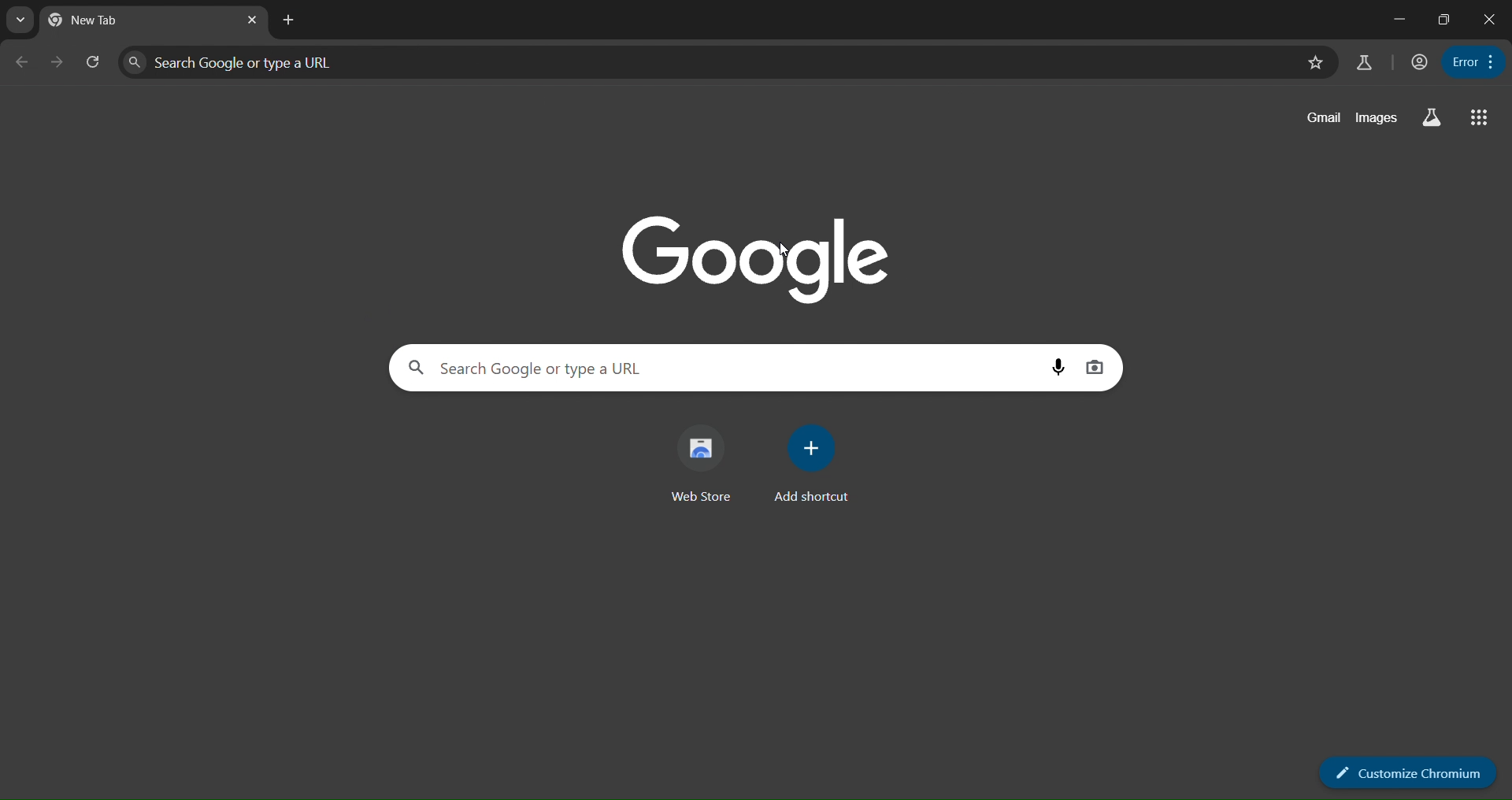 The height and width of the screenshot is (800, 1512). Describe the element at coordinates (58, 61) in the screenshot. I see `go forward one page` at that location.